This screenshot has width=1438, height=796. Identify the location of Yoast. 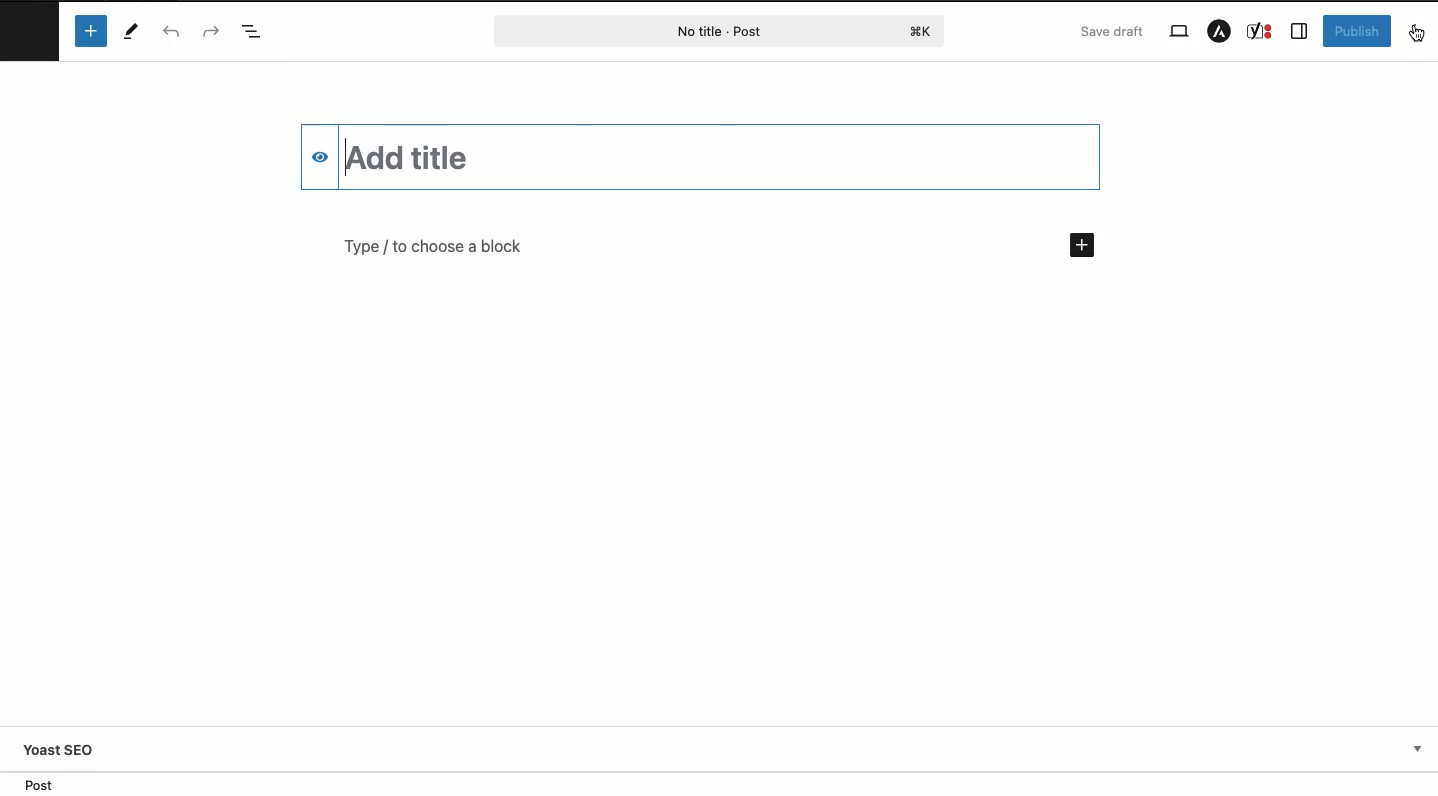
(1261, 31).